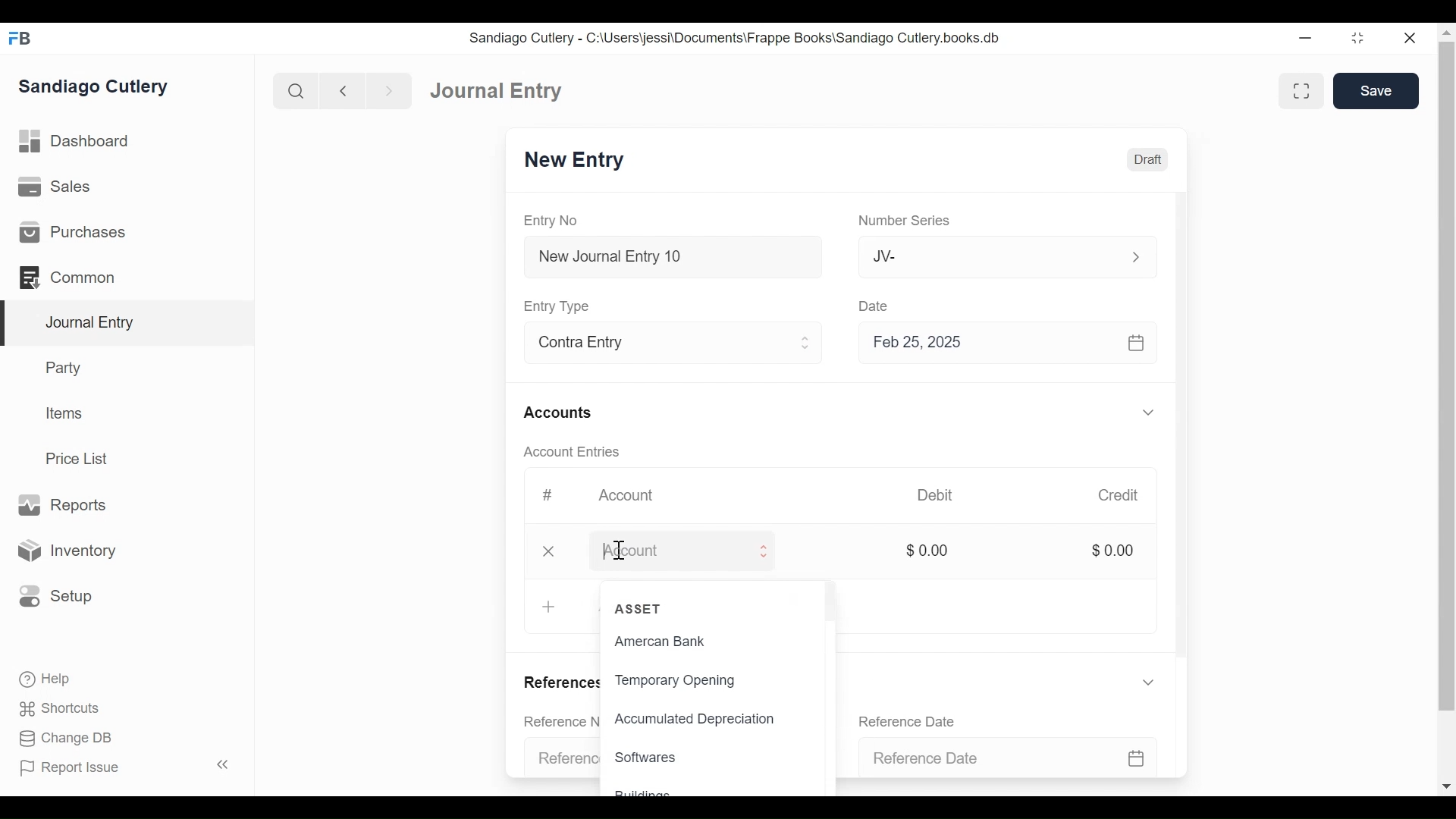  What do you see at coordinates (390, 89) in the screenshot?
I see `Navigate Forward` at bounding box center [390, 89].